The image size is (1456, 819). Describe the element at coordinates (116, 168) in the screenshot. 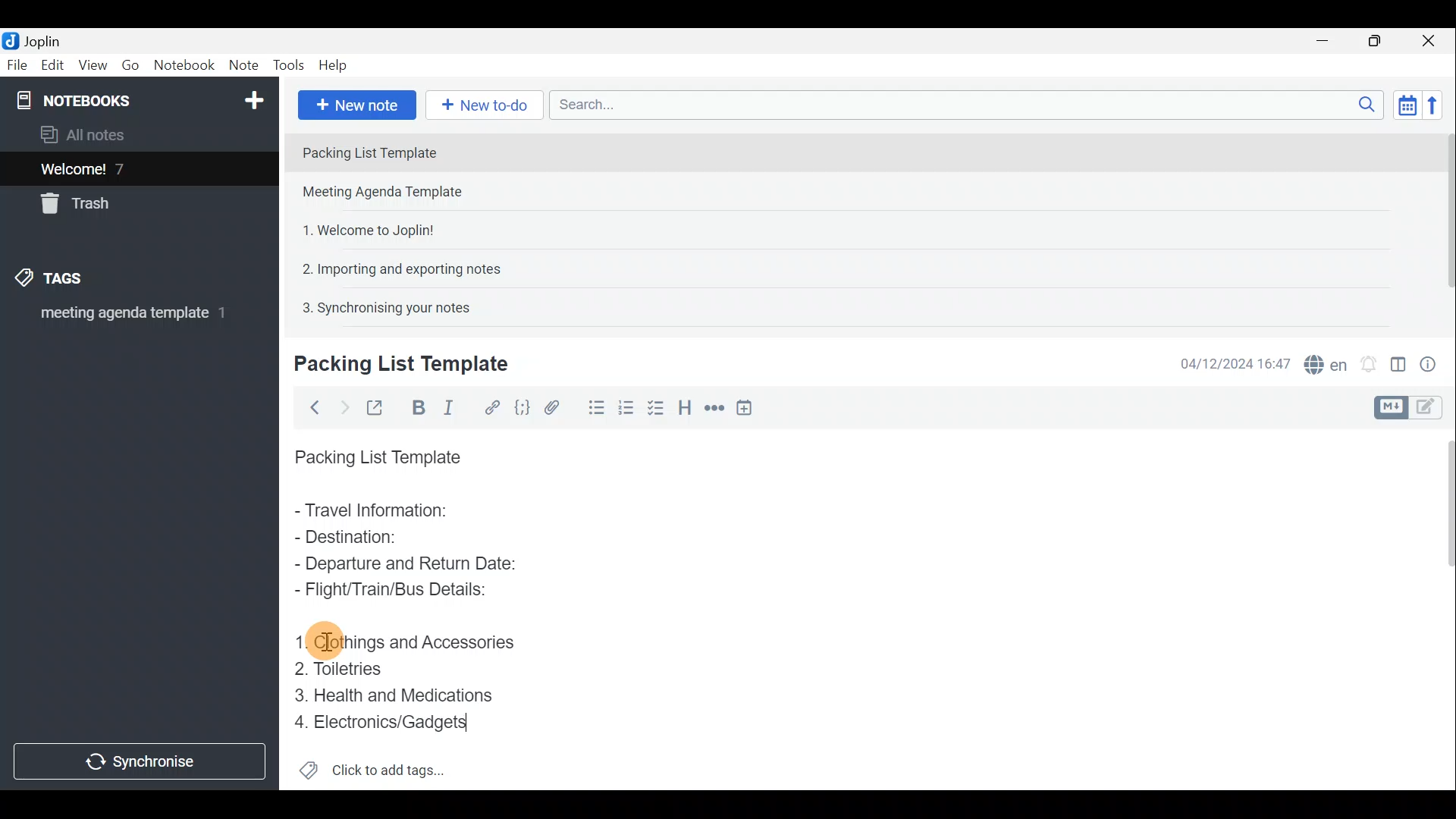

I see `Welcome` at that location.